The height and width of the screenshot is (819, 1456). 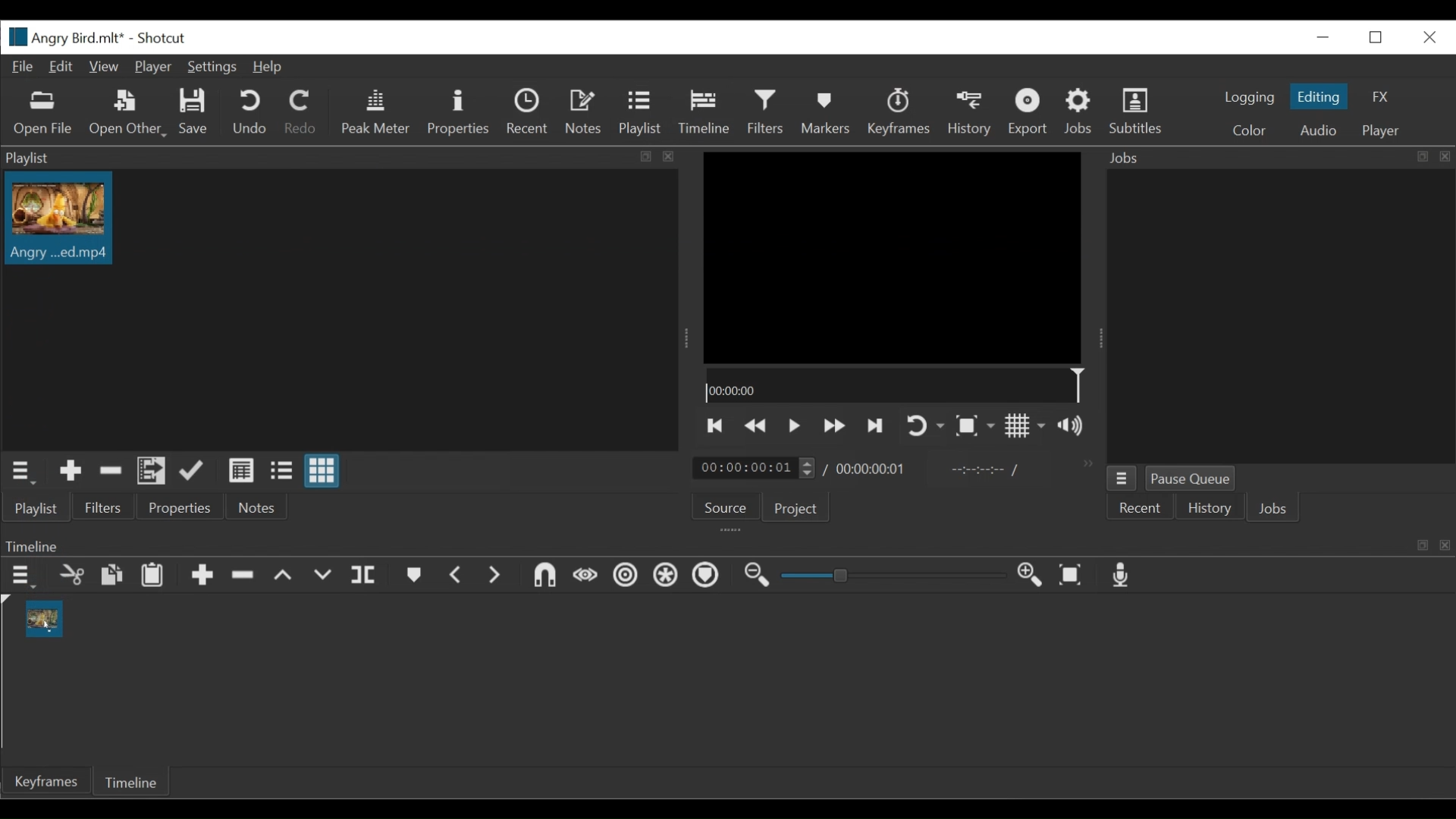 What do you see at coordinates (194, 472) in the screenshot?
I see `Append` at bounding box center [194, 472].